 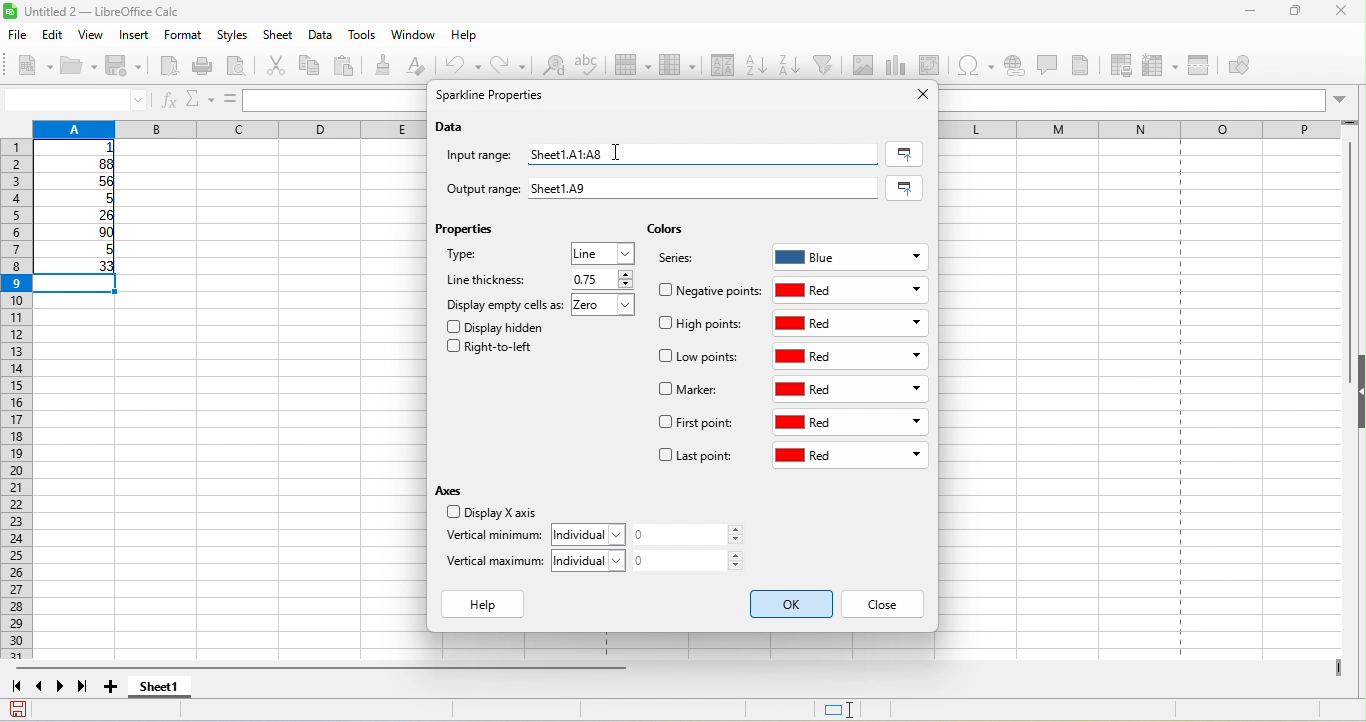 What do you see at coordinates (593, 70) in the screenshot?
I see `spelling` at bounding box center [593, 70].